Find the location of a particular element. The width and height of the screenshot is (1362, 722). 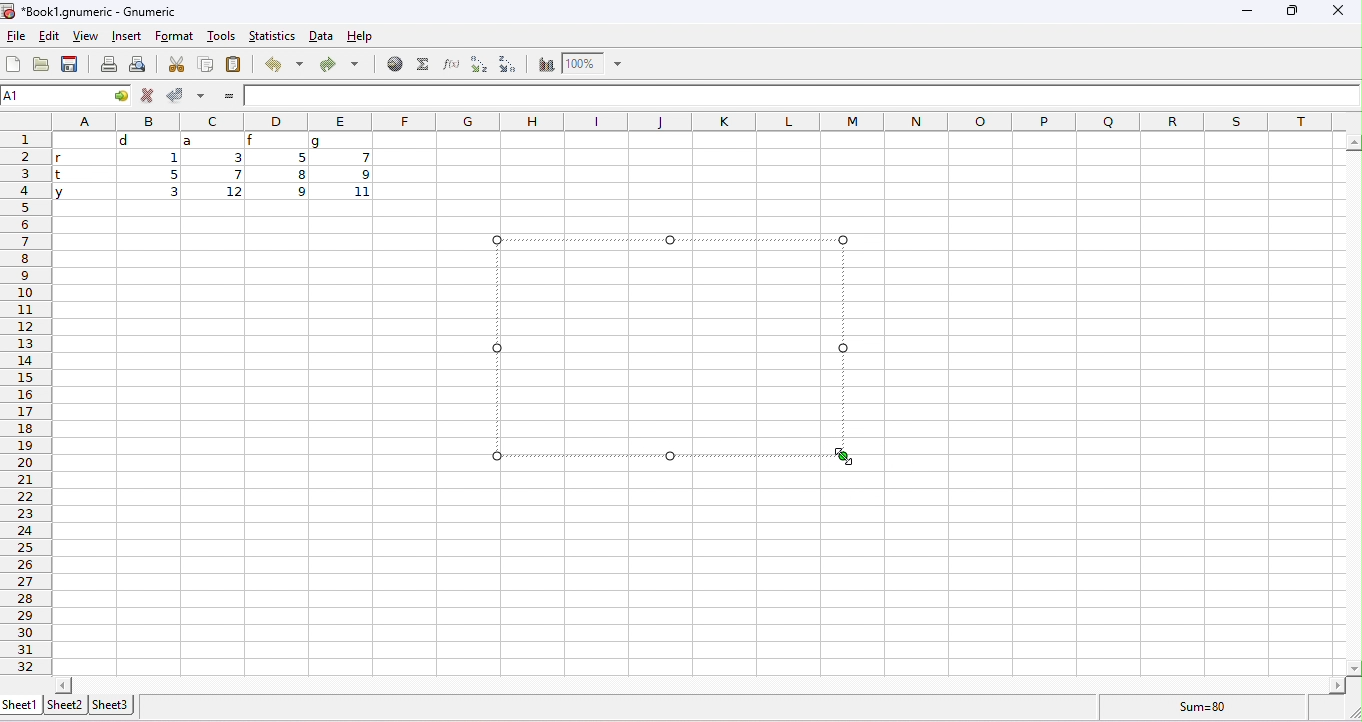

maximize is located at coordinates (1293, 13).